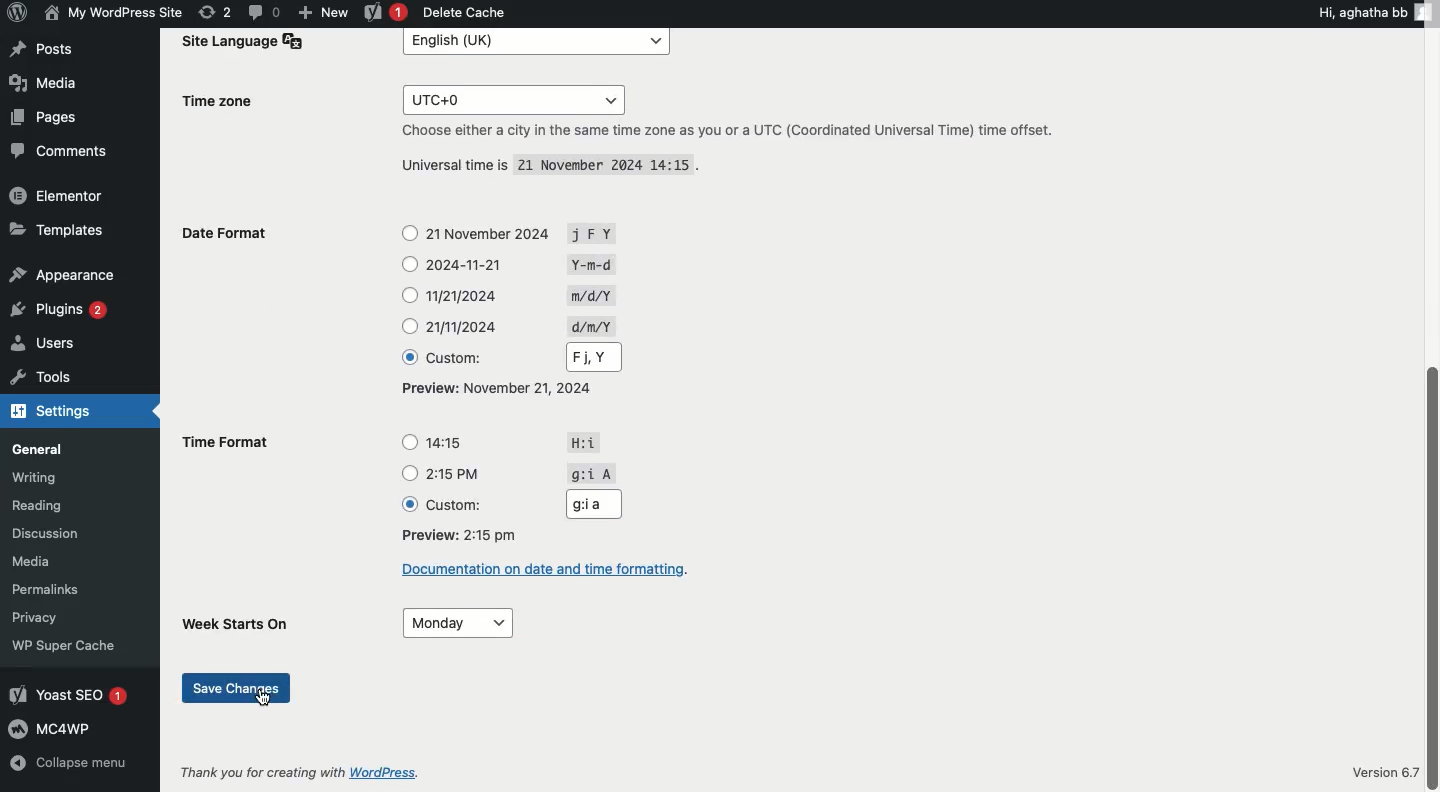  What do you see at coordinates (323, 12) in the screenshot?
I see `New` at bounding box center [323, 12].